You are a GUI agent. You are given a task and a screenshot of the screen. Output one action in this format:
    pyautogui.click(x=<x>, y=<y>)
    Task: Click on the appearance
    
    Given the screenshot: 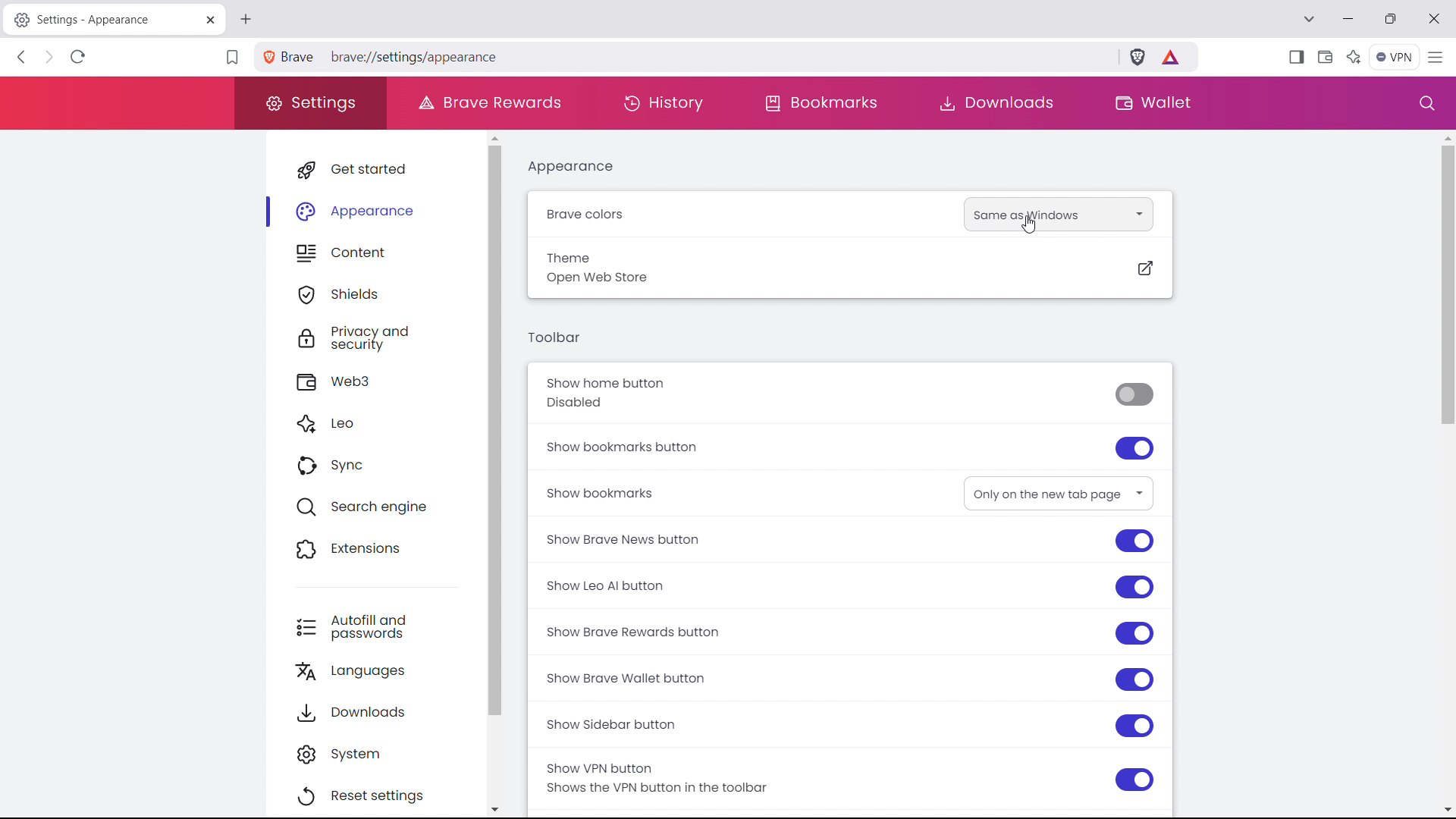 What is the action you would take?
    pyautogui.click(x=571, y=168)
    